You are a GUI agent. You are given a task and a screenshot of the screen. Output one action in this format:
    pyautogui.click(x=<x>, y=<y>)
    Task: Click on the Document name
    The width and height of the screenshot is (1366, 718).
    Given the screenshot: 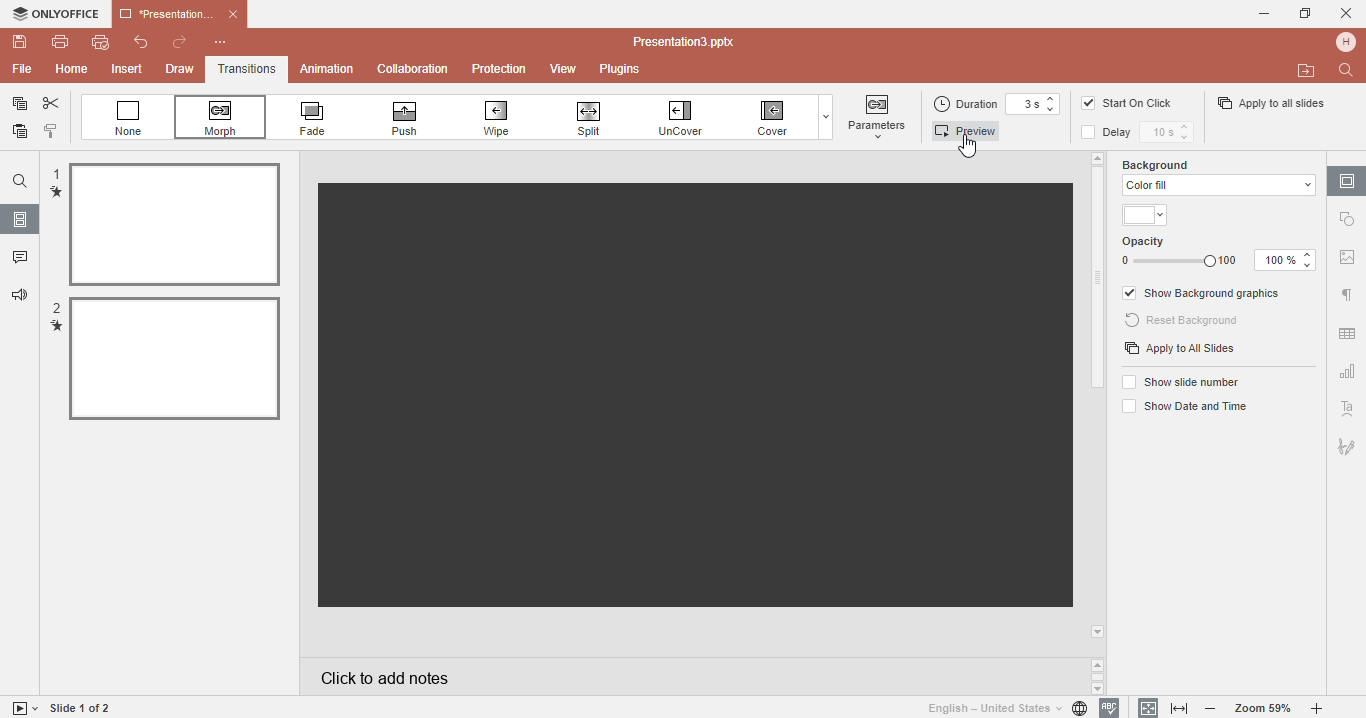 What is the action you would take?
    pyautogui.click(x=178, y=12)
    